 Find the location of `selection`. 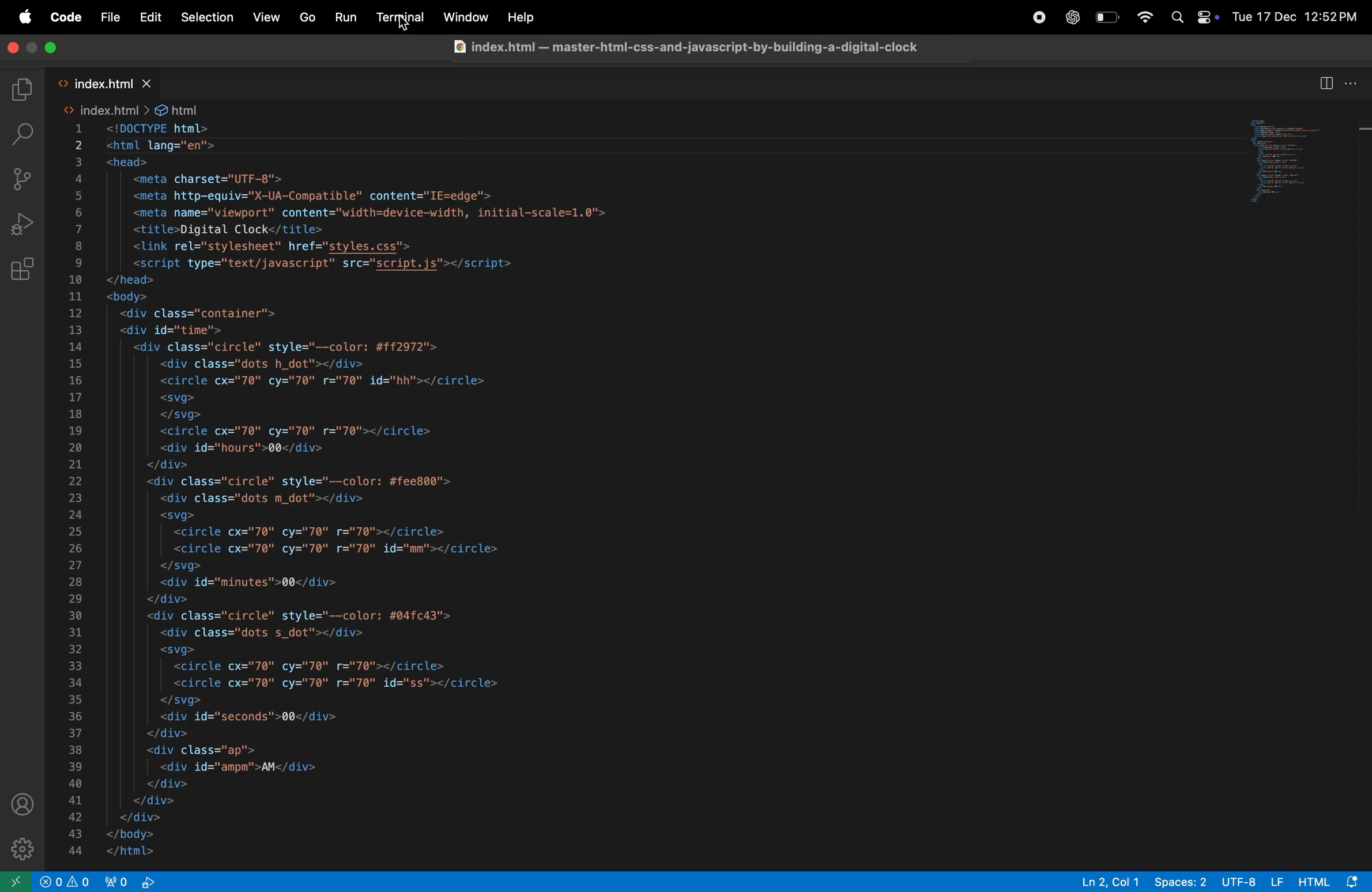

selection is located at coordinates (208, 17).